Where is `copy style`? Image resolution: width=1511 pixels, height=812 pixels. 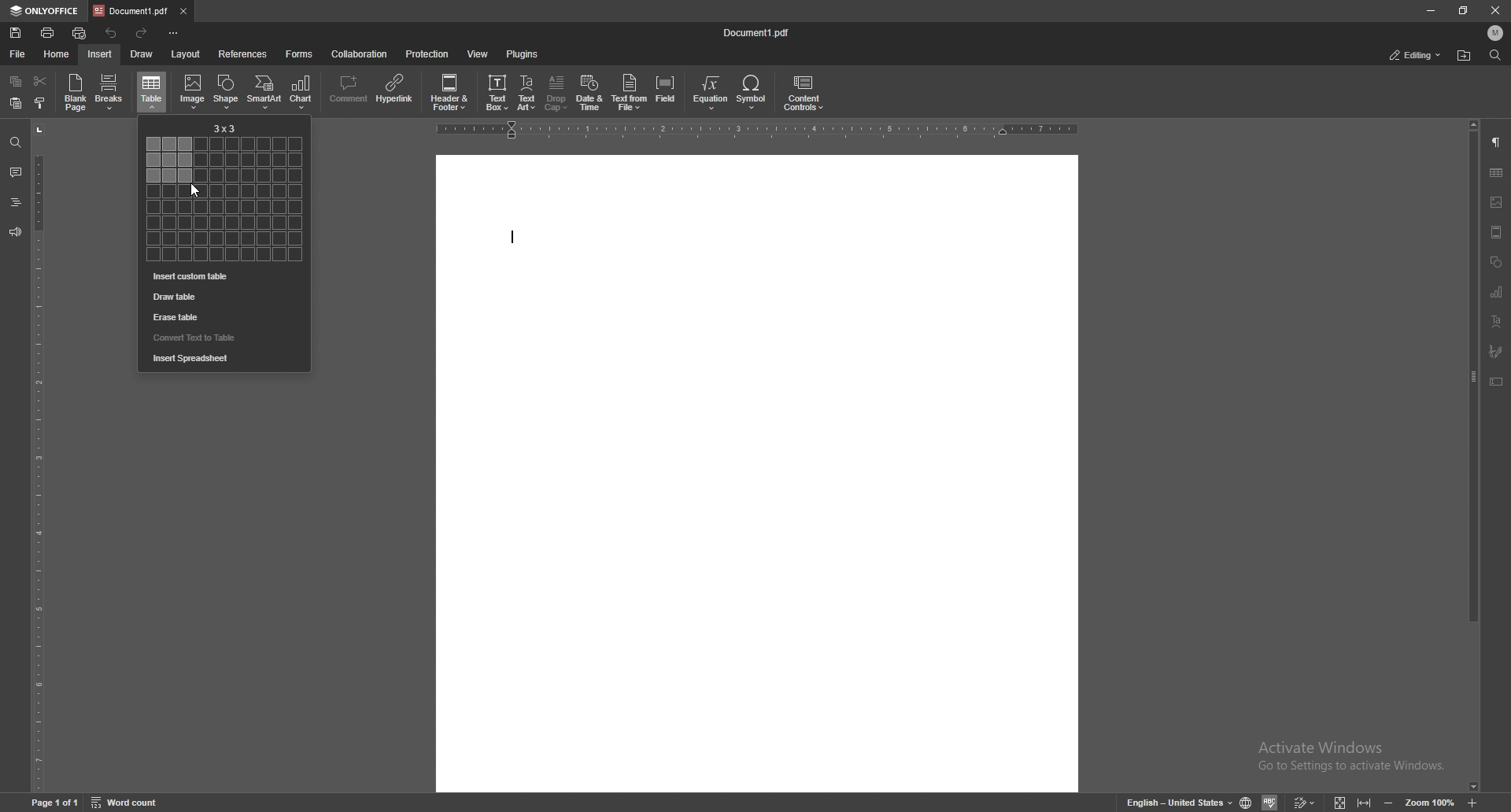
copy style is located at coordinates (41, 105).